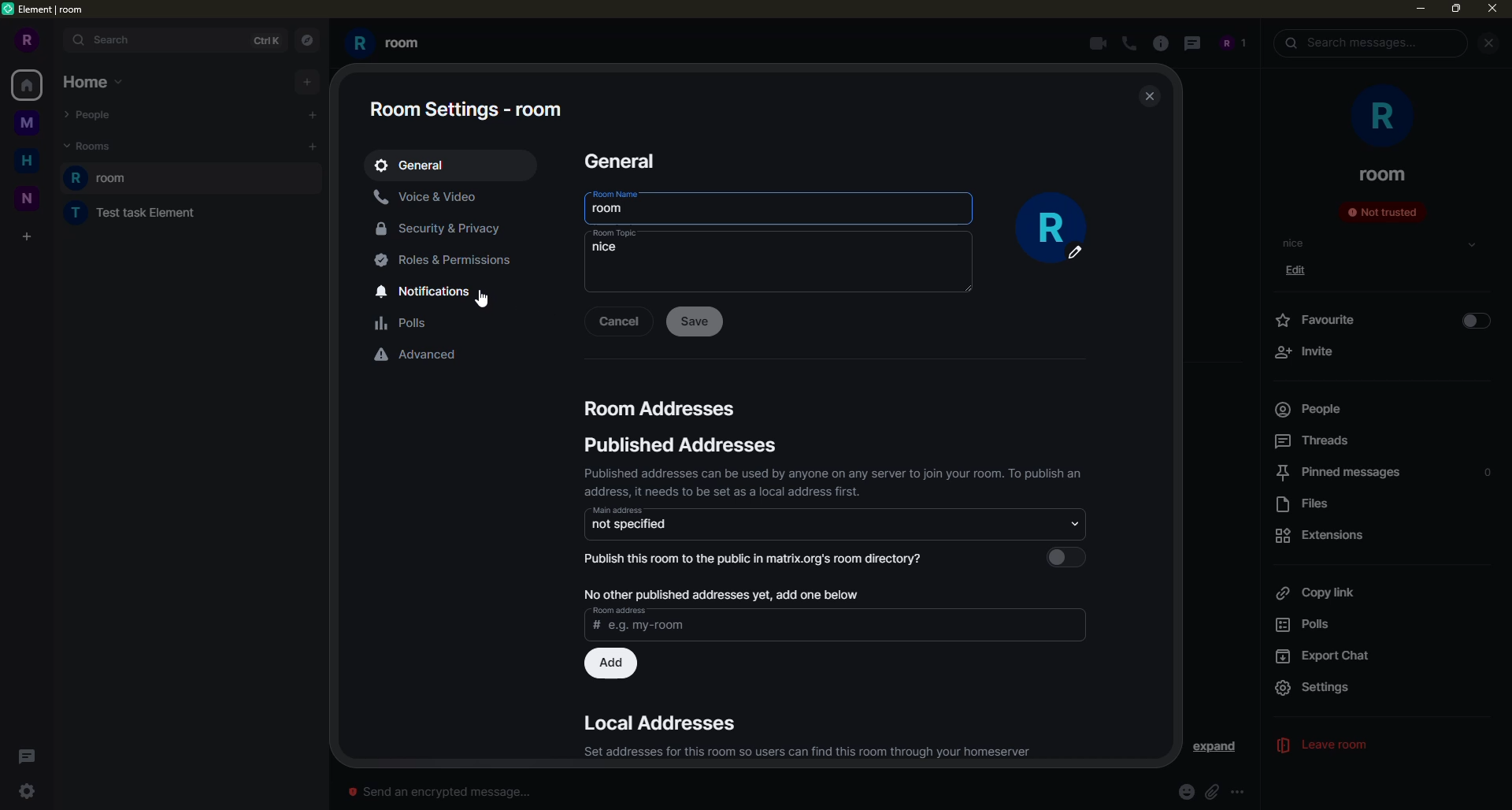  Describe the element at coordinates (617, 510) in the screenshot. I see `main address` at that location.